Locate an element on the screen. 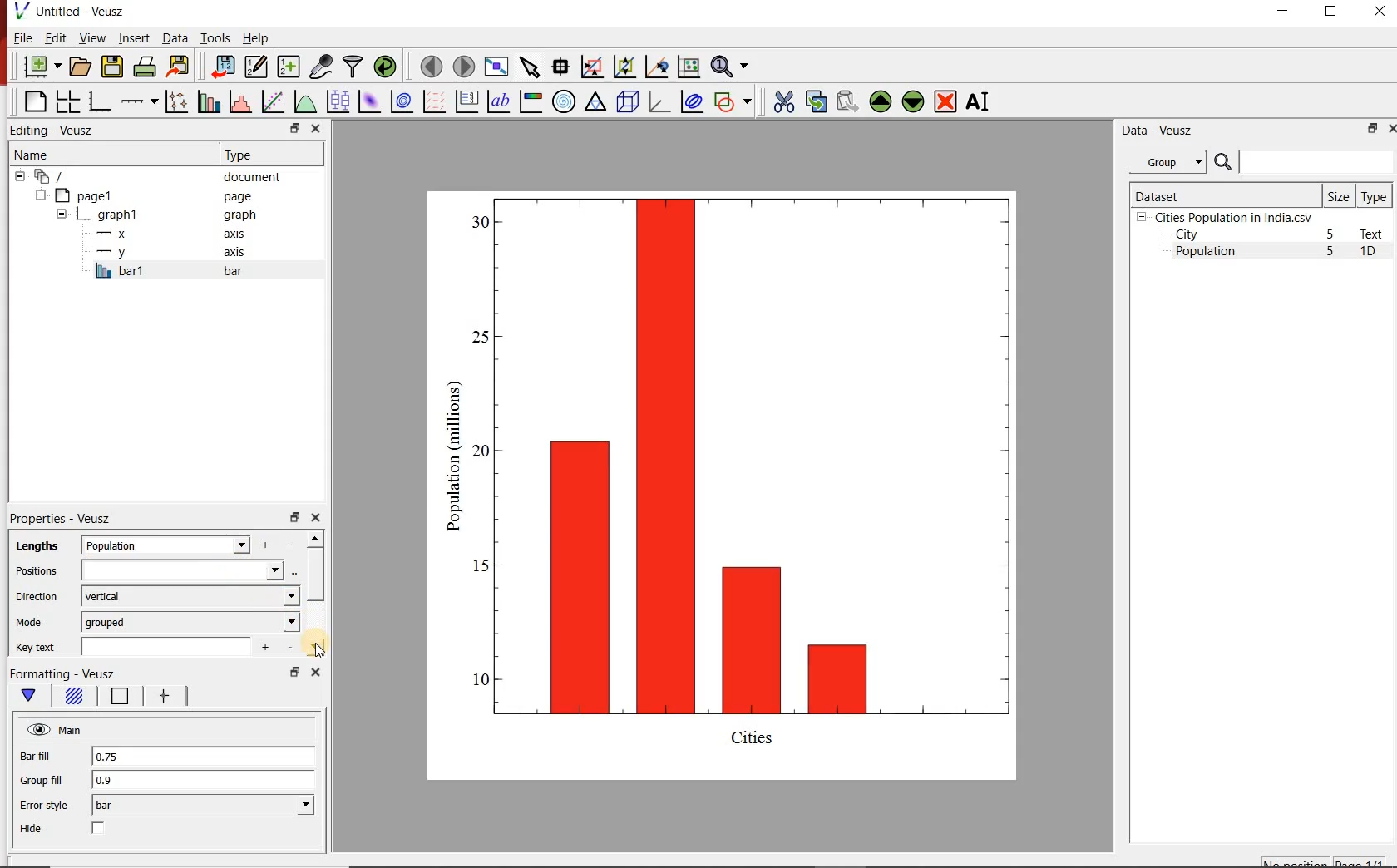 The height and width of the screenshot is (868, 1397). reload linked datasets is located at coordinates (384, 67).